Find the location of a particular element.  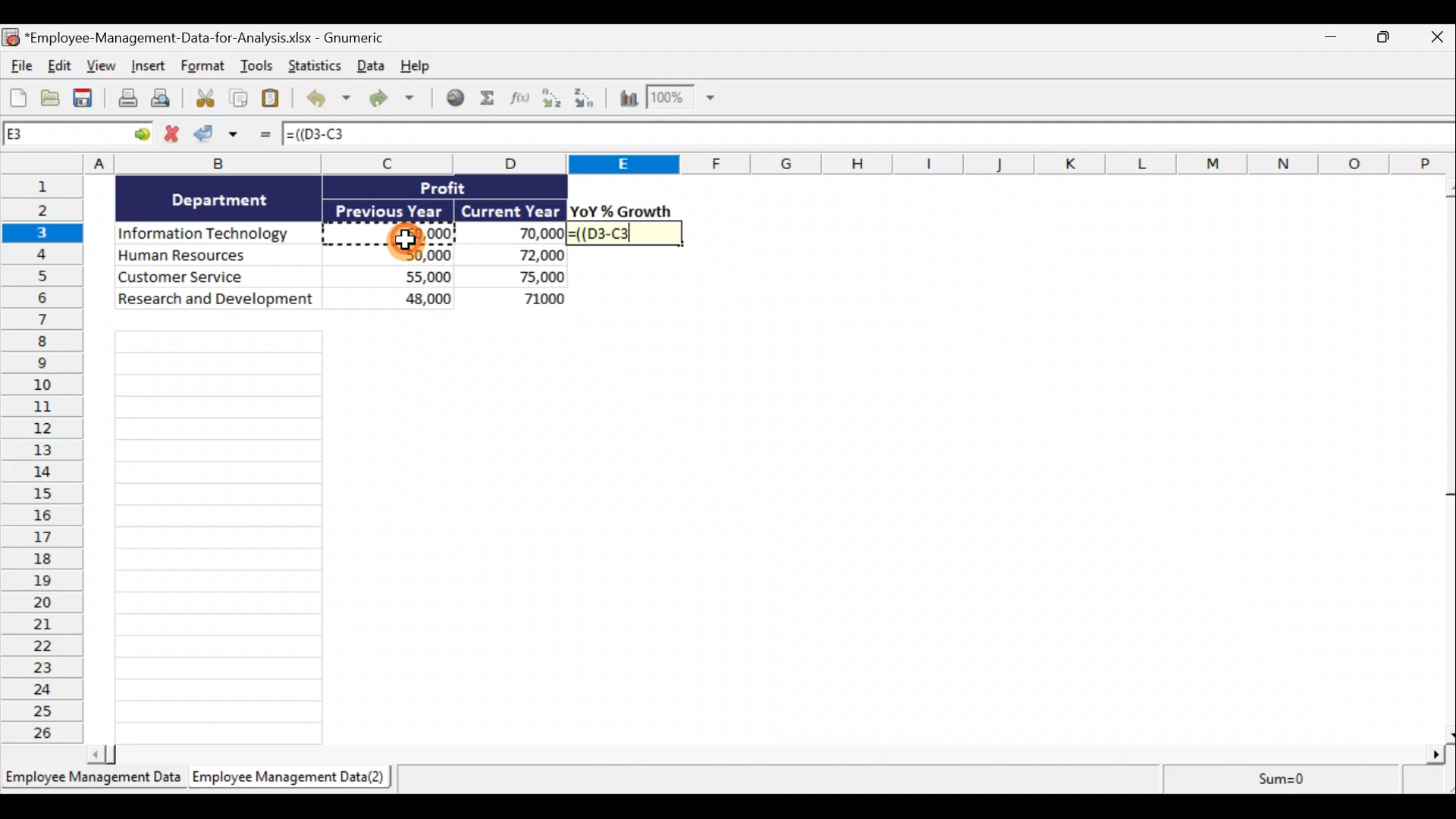

Redo undone action is located at coordinates (390, 99).